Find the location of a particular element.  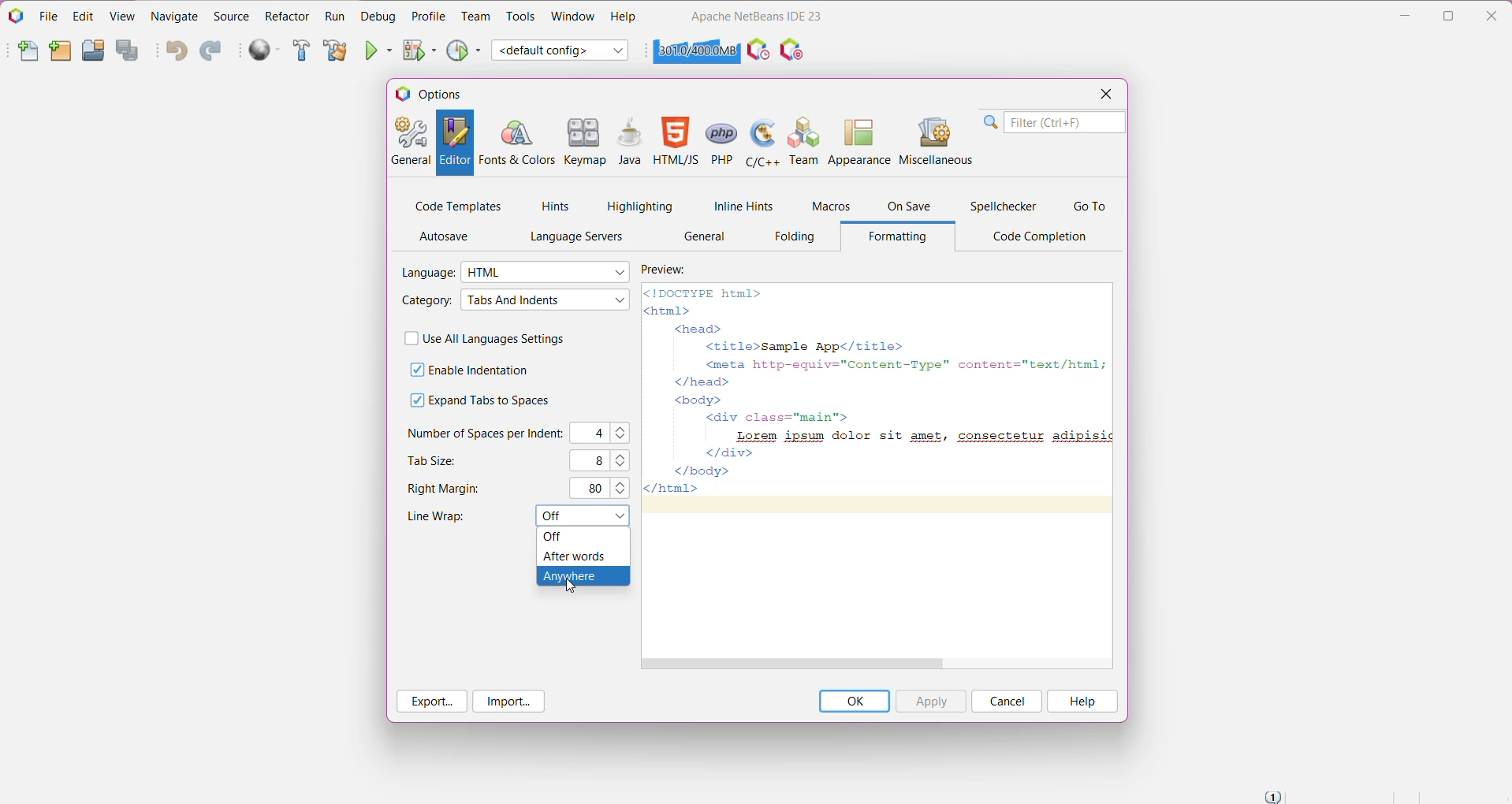

cursor is located at coordinates (572, 588).